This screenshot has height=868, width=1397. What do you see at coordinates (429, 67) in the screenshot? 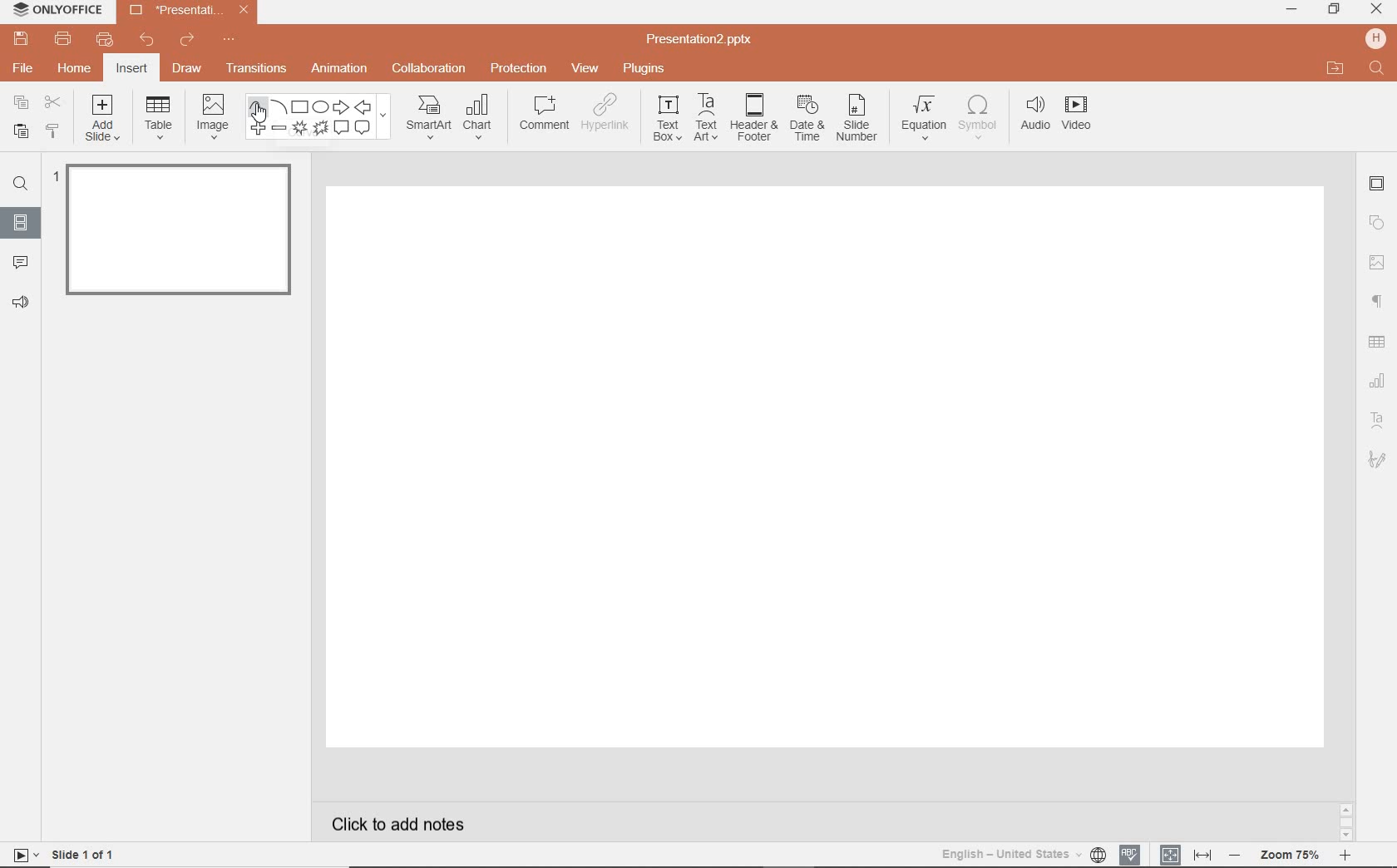
I see `COLLABORATION` at bounding box center [429, 67].